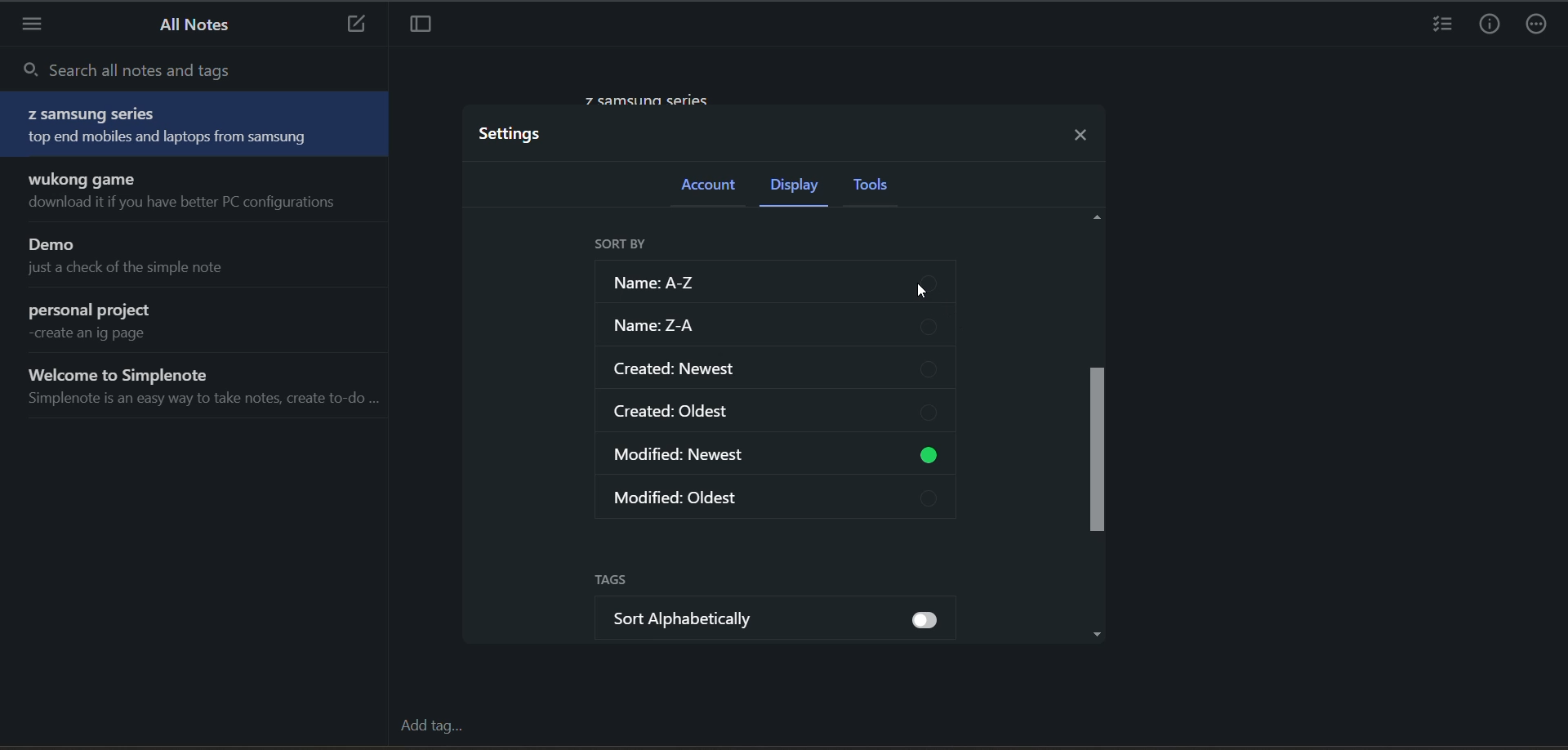 The image size is (1568, 750). Describe the element at coordinates (196, 125) in the screenshot. I see `Z samsung series
top end mobiles and laptops from samsung` at that location.